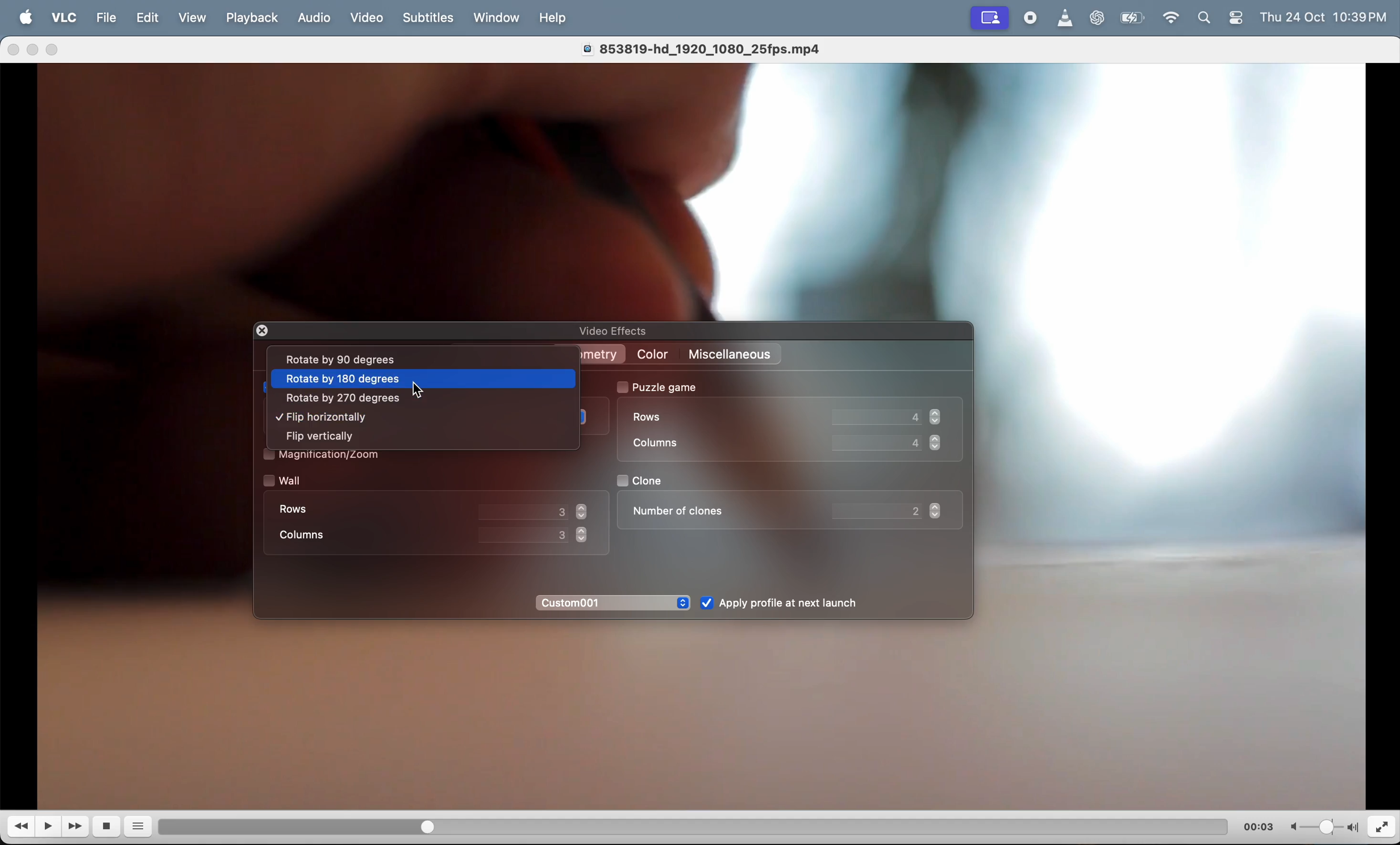  I want to click on check box, so click(266, 454).